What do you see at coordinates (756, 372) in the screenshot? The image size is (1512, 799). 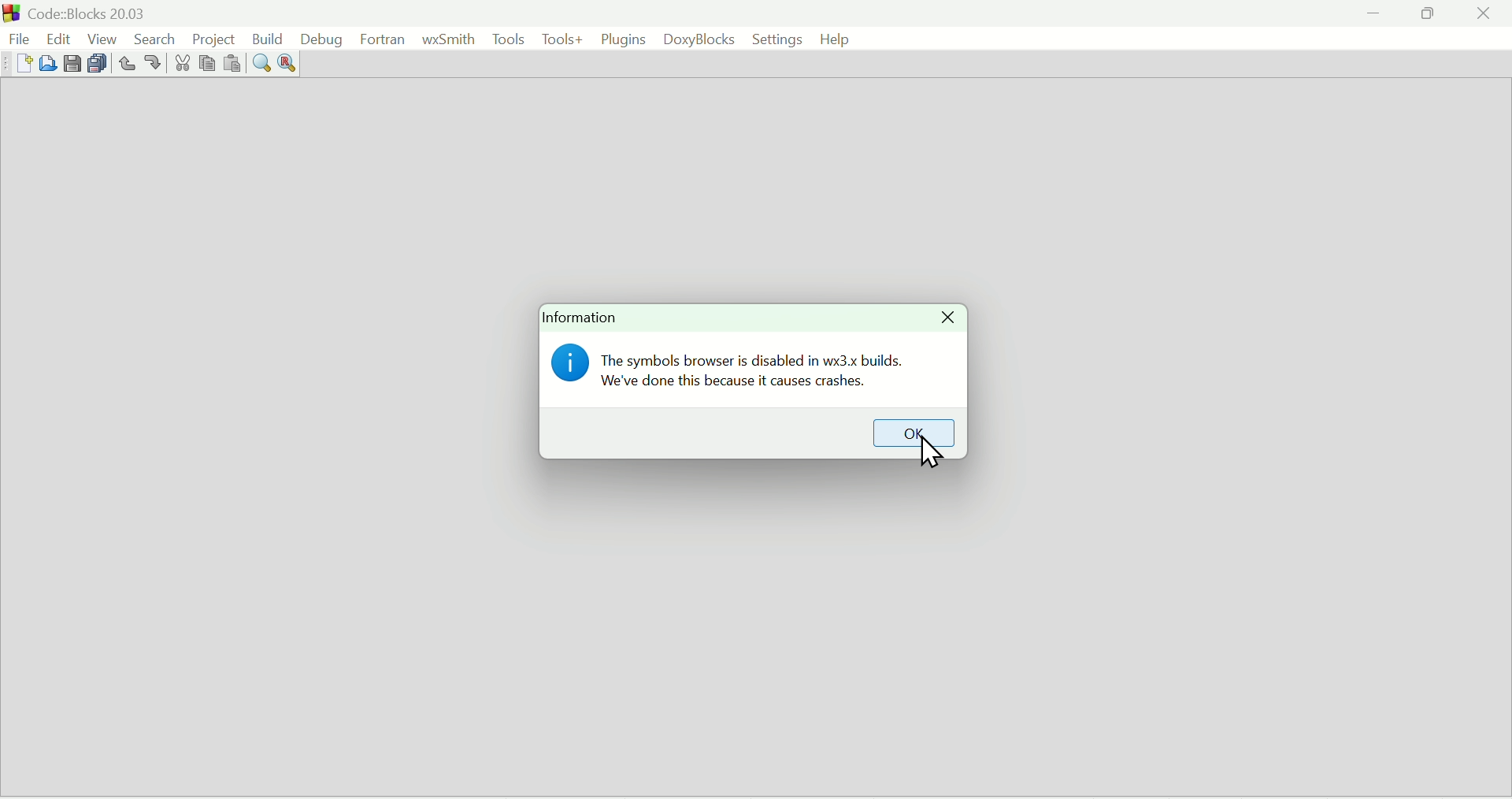 I see `The symbols browser is disabled in wx3.x builds.
We've done this because it causes crashes.` at bounding box center [756, 372].